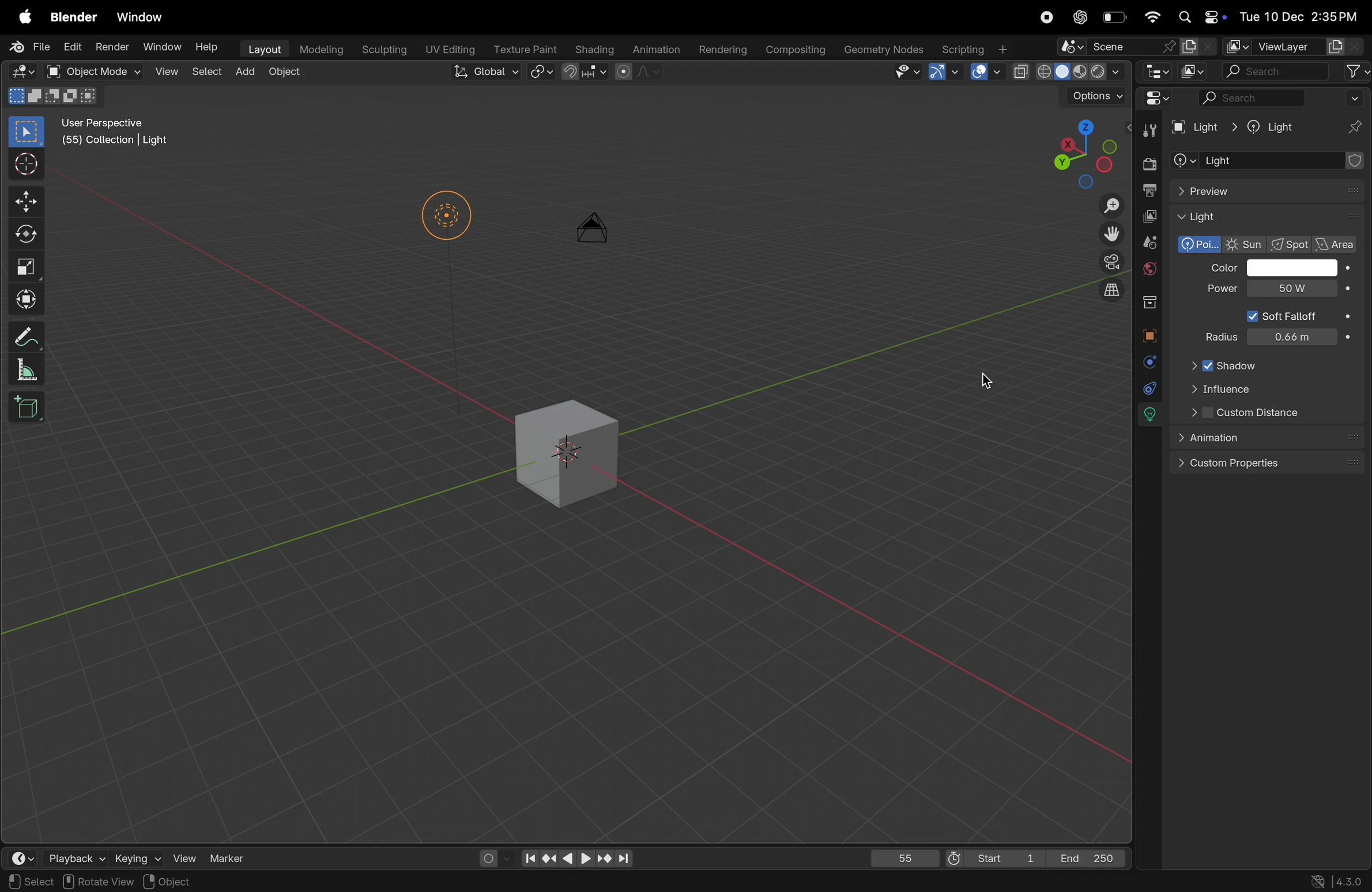  Describe the element at coordinates (1136, 47) in the screenshot. I see `scene` at that location.